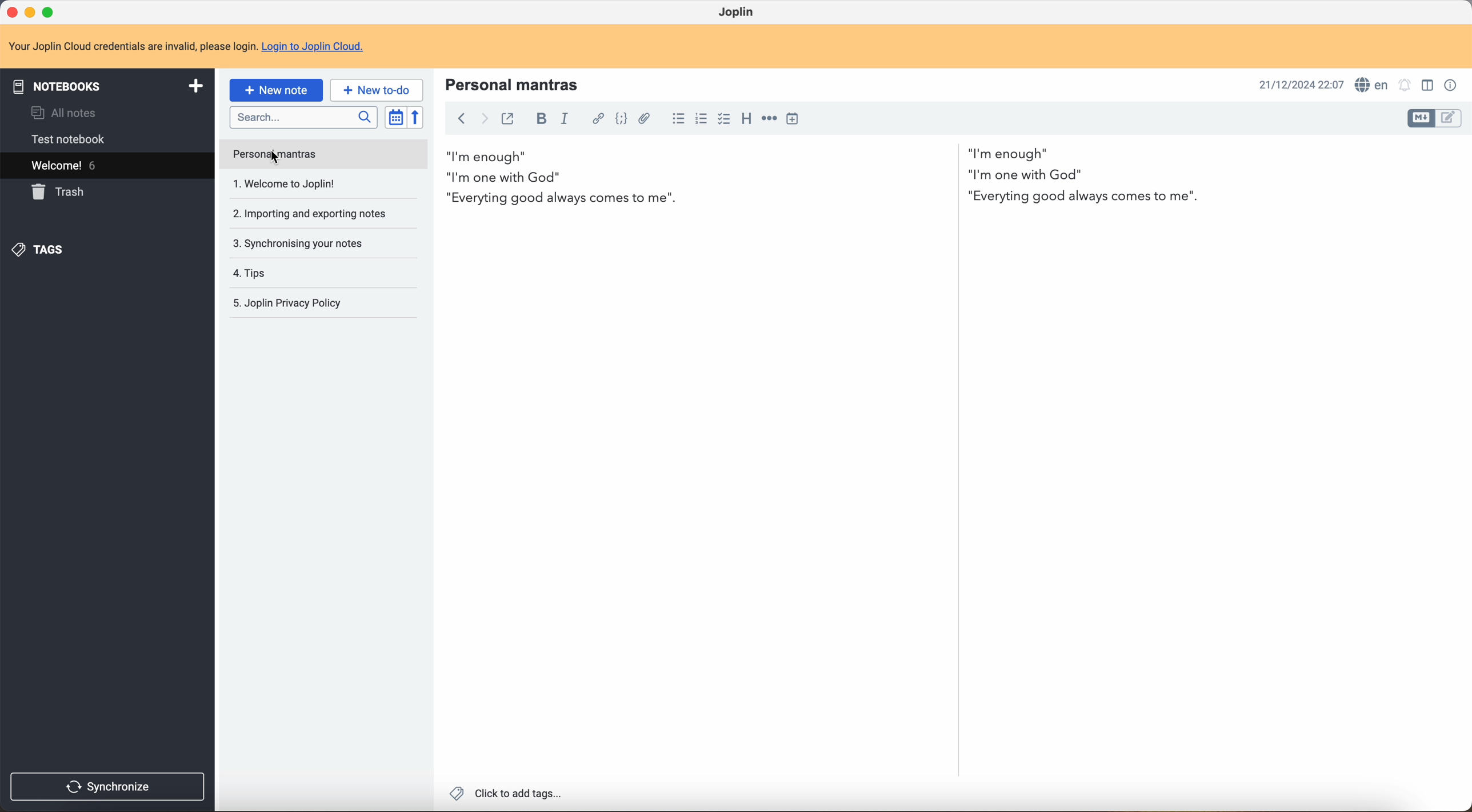  I want to click on bold, so click(541, 118).